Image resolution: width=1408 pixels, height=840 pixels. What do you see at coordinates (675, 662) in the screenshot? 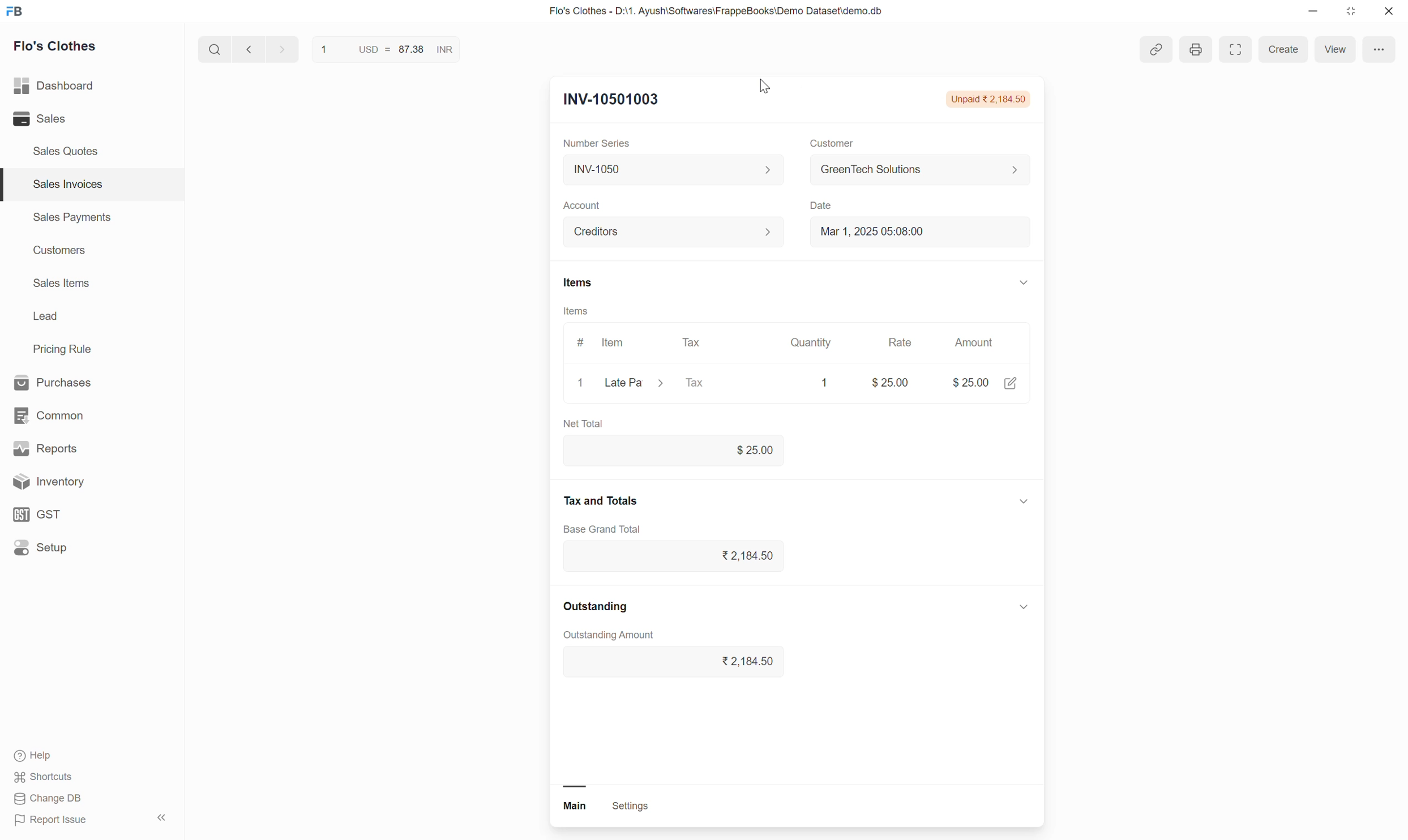
I see `2184.50` at bounding box center [675, 662].